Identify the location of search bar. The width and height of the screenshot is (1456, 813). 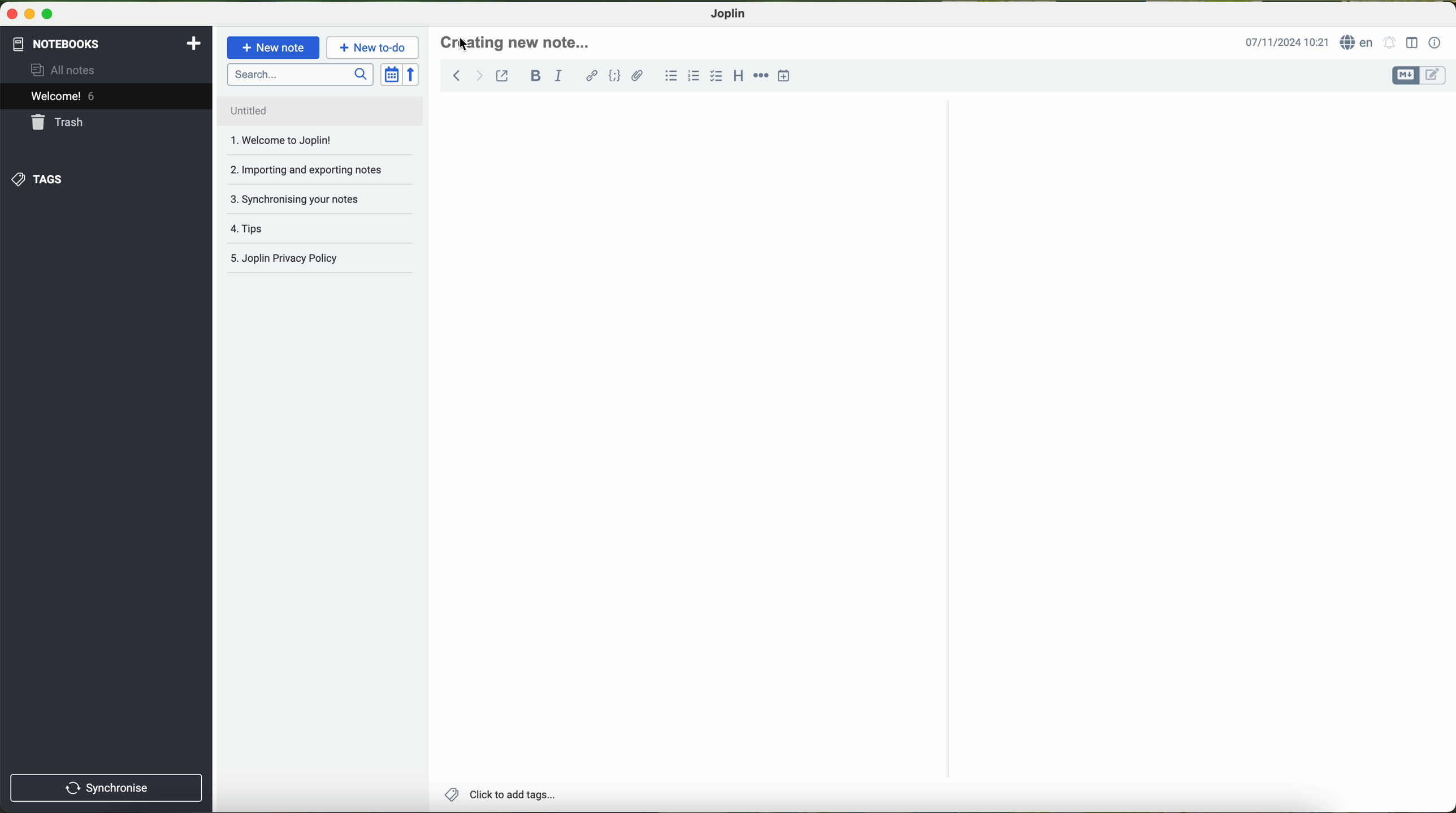
(299, 74).